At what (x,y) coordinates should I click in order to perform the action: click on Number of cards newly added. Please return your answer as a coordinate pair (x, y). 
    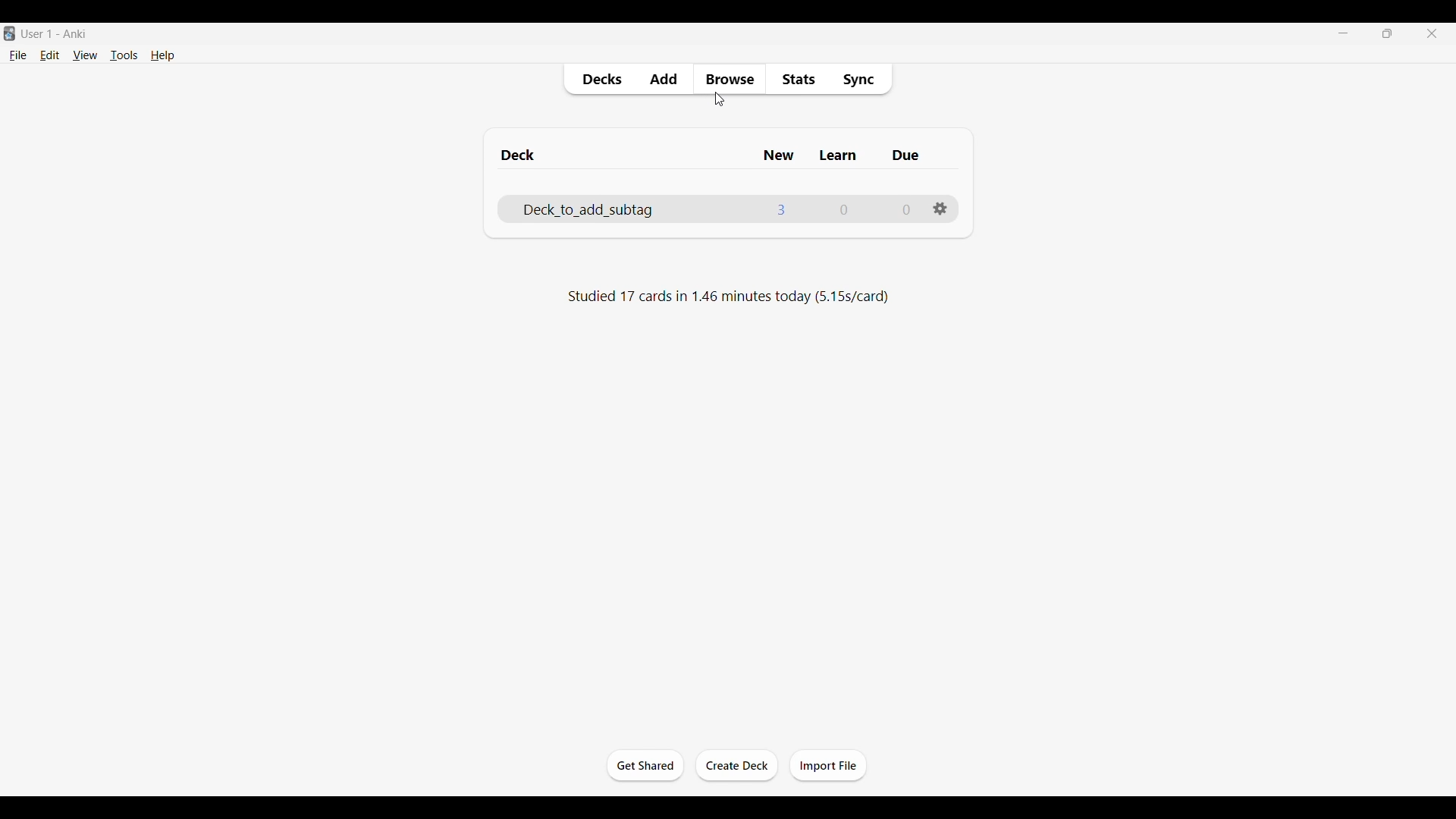
    Looking at the image, I should click on (780, 209).